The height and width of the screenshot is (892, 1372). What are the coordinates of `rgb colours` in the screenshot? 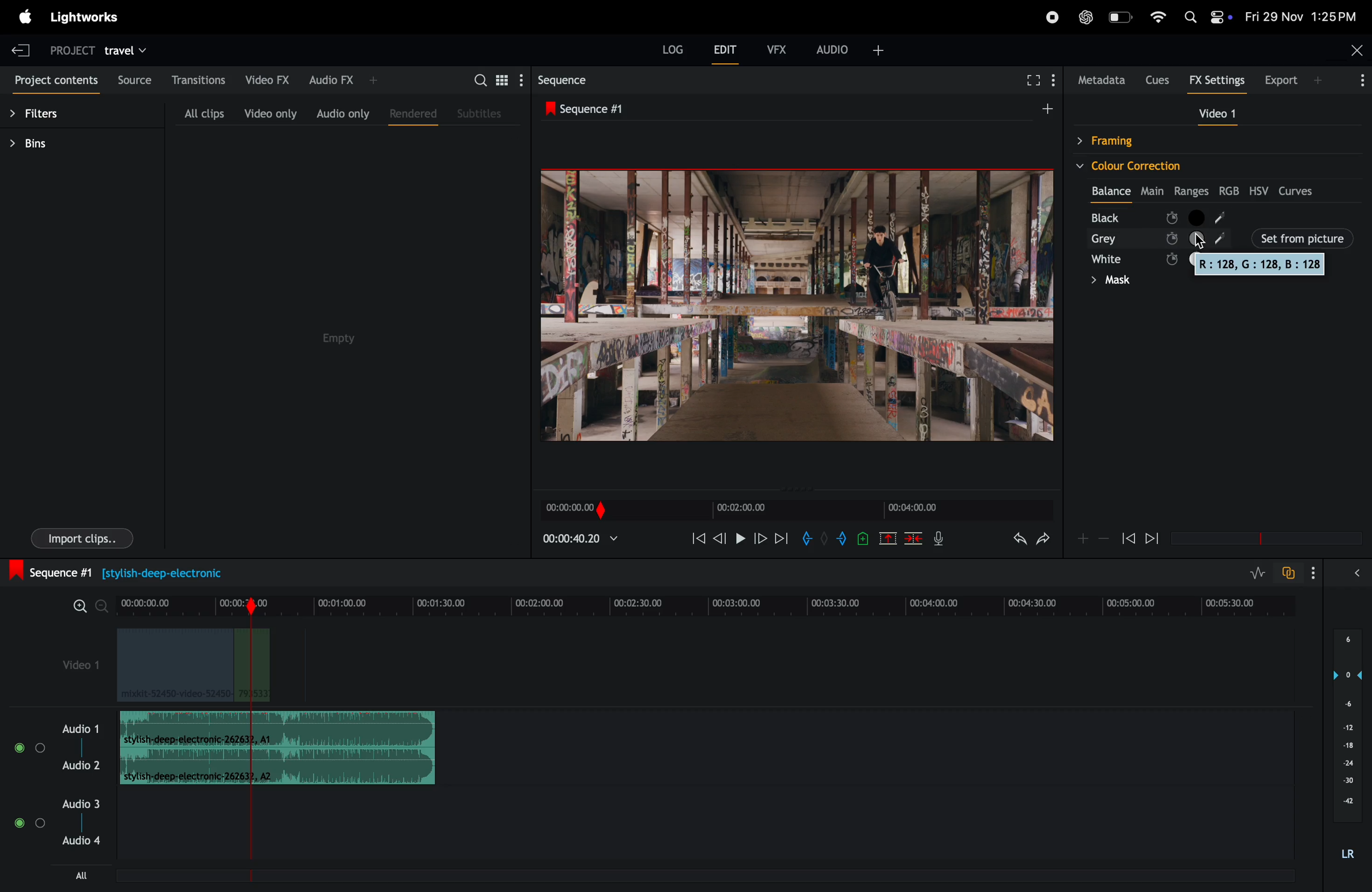 It's located at (1247, 263).